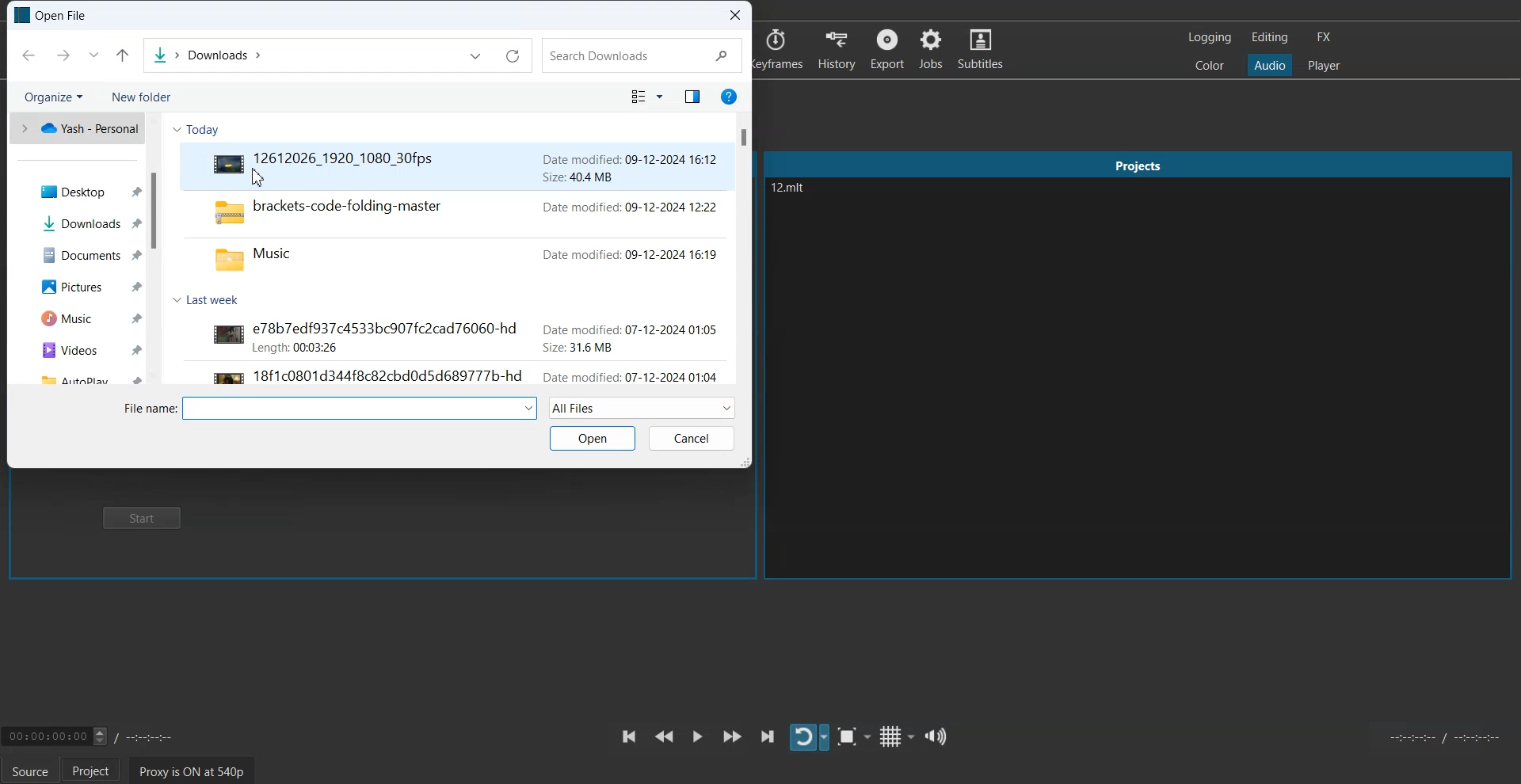 Image resolution: width=1521 pixels, height=784 pixels. I want to click on Videos, so click(78, 349).